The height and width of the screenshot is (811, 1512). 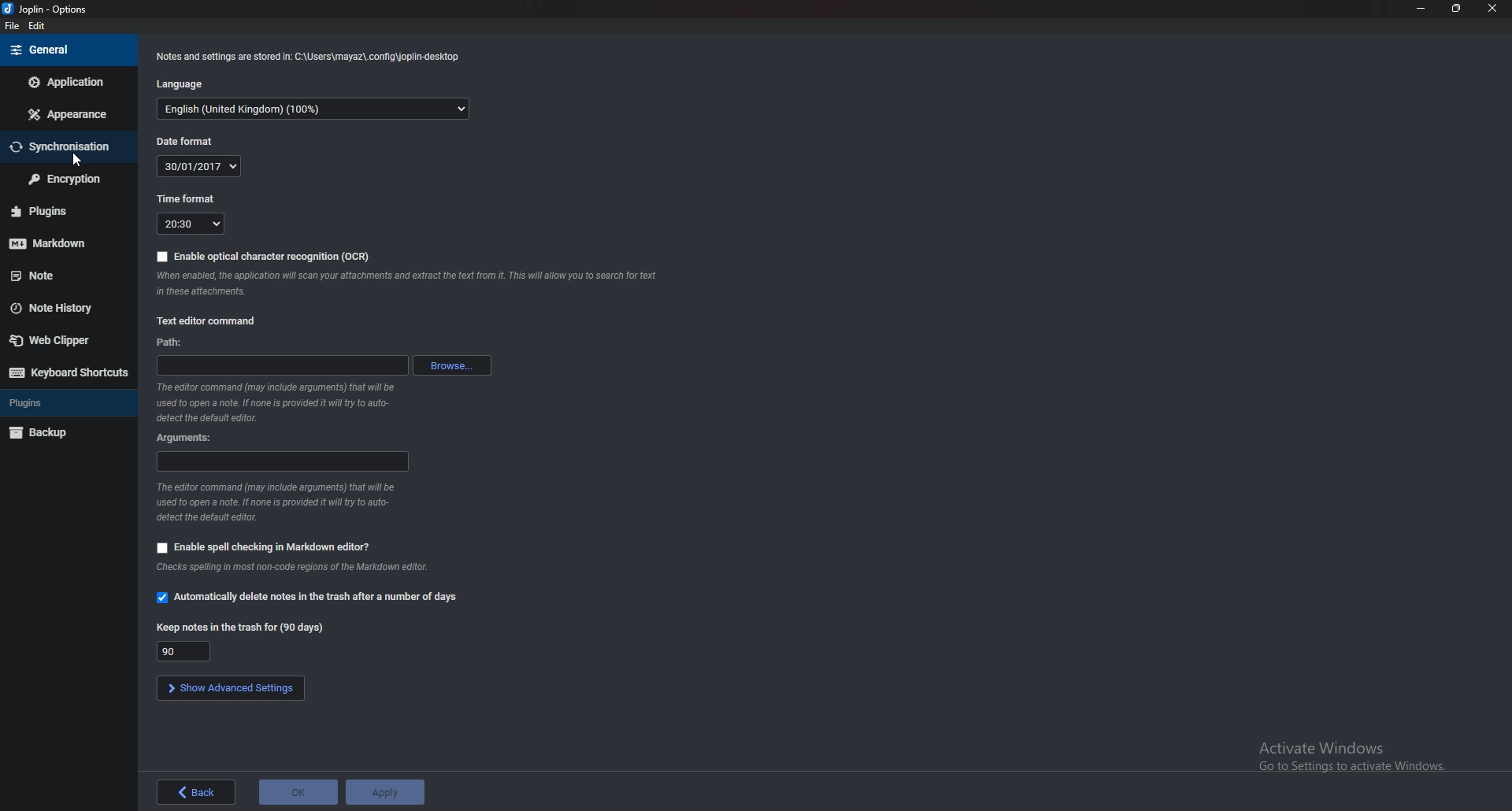 I want to click on data format, so click(x=183, y=142).